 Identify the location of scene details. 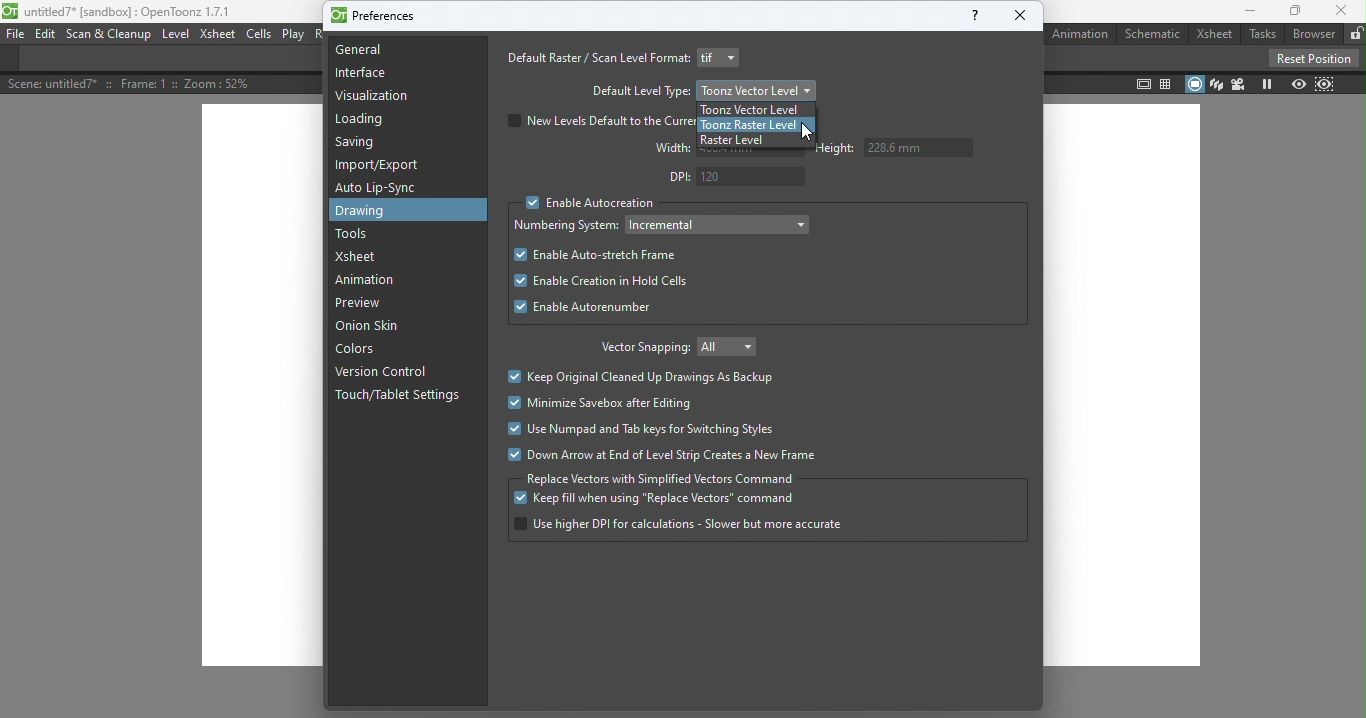
(141, 85).